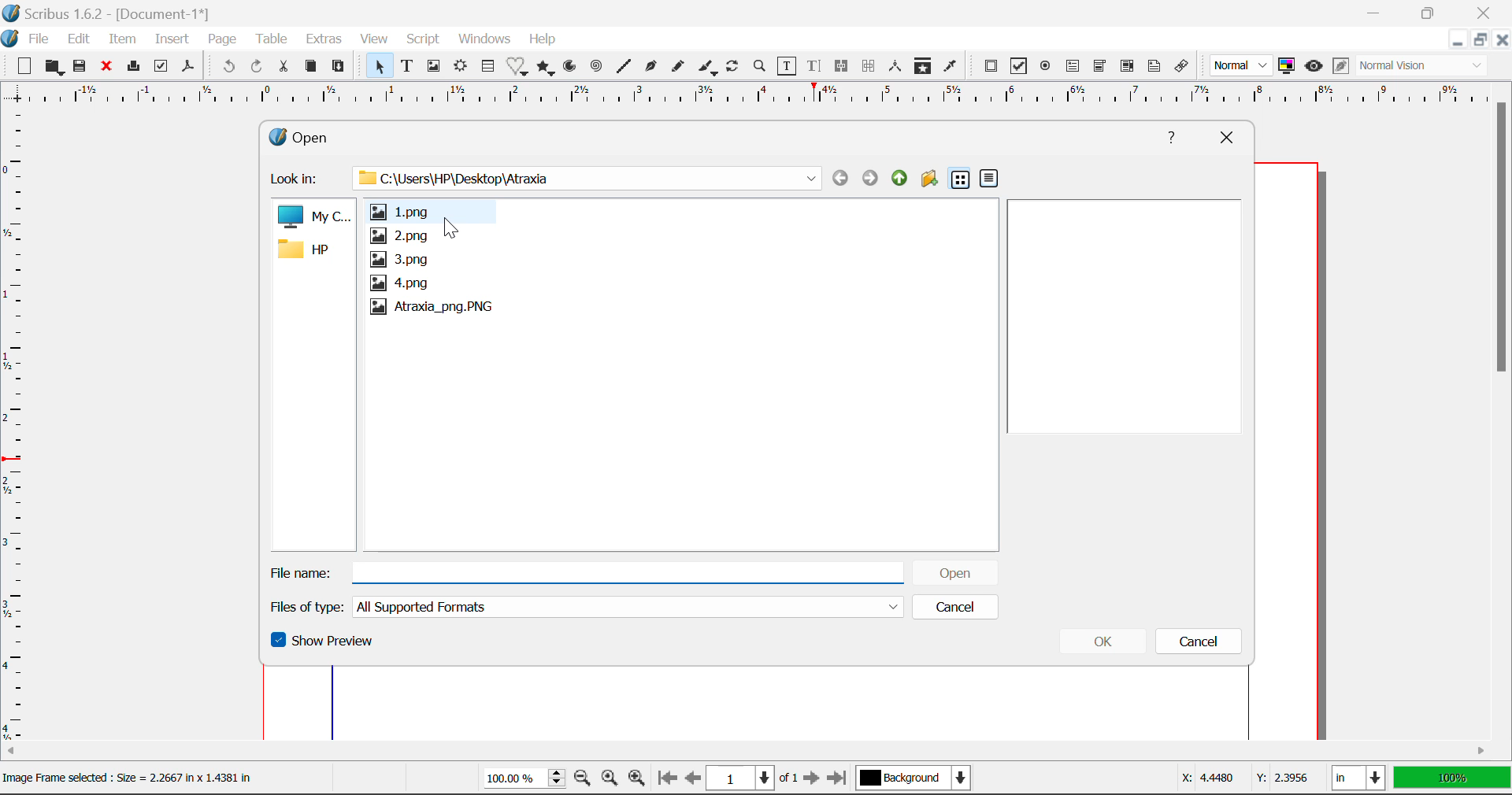 Image resolution: width=1512 pixels, height=795 pixels. I want to click on Navigation, so click(899, 179).